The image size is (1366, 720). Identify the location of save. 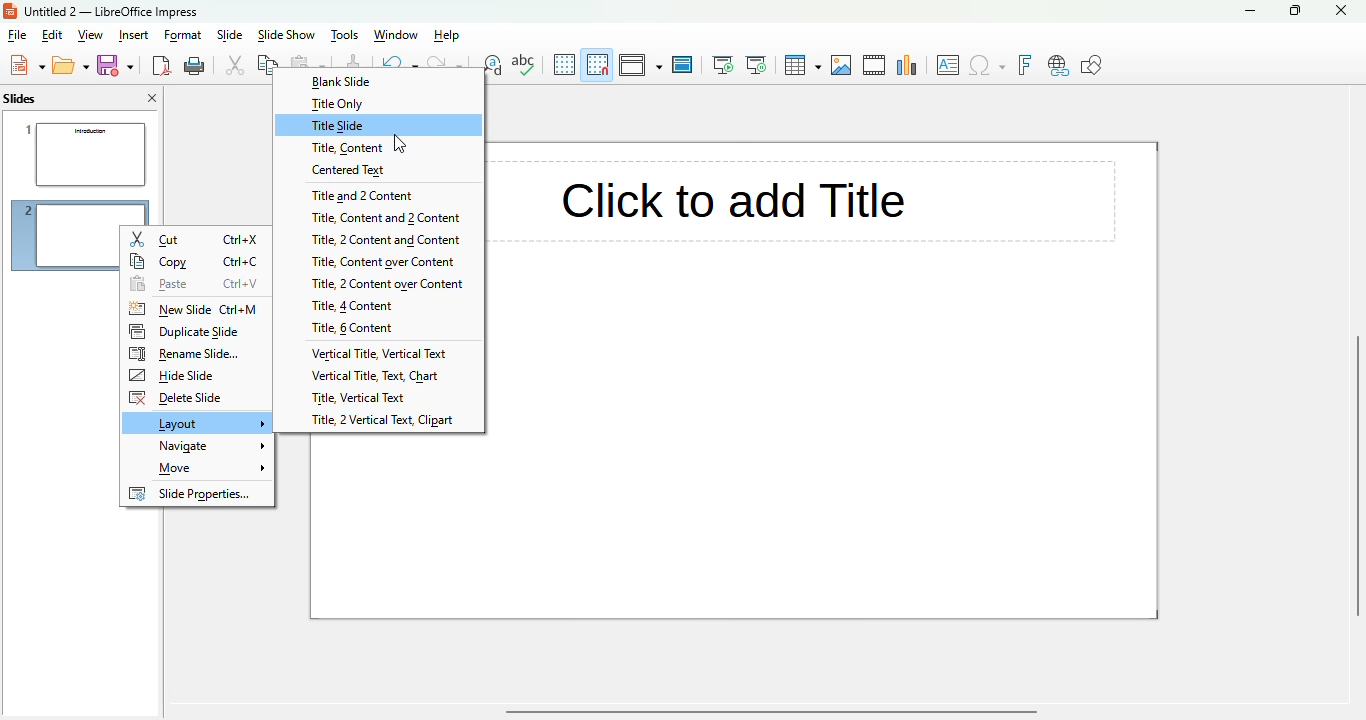
(115, 65).